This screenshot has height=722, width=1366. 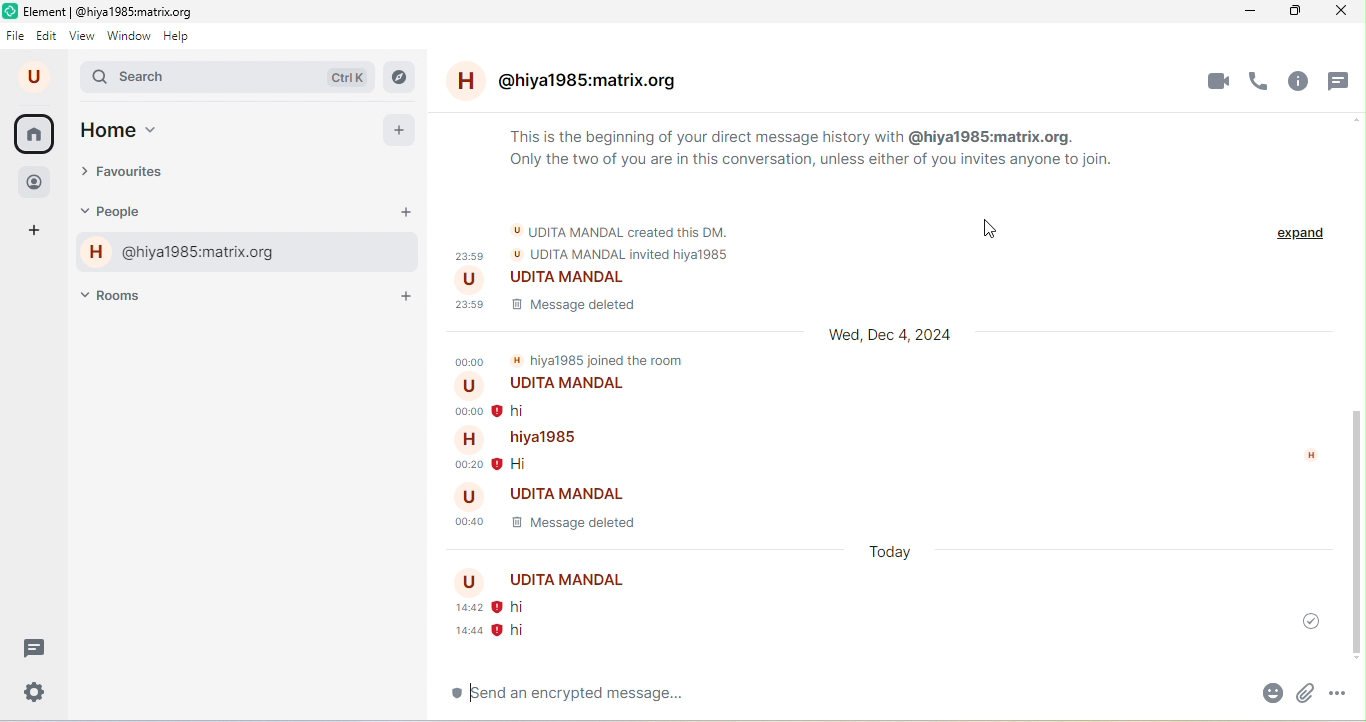 What do you see at coordinates (34, 134) in the screenshot?
I see `home` at bounding box center [34, 134].